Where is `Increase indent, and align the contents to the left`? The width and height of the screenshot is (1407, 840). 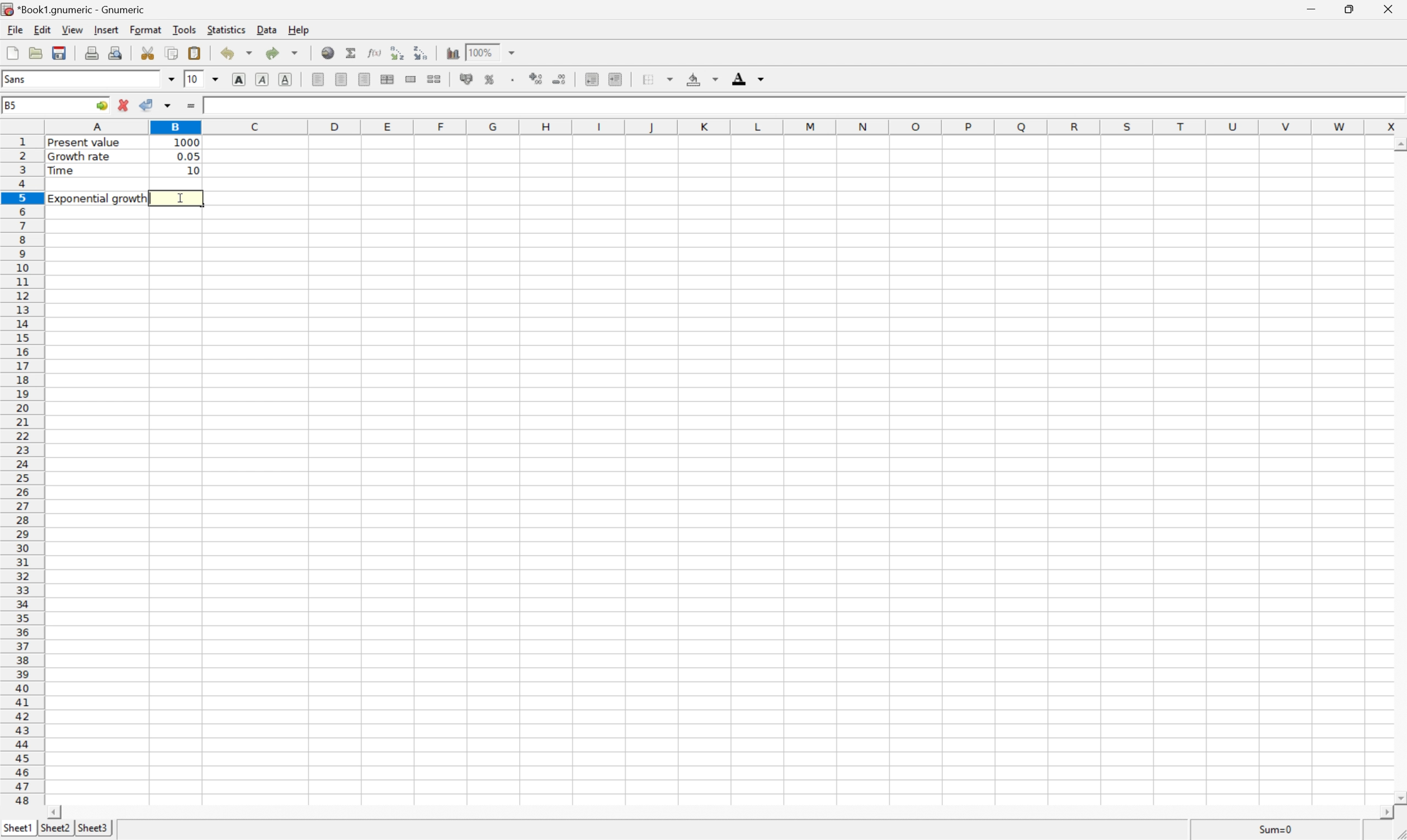 Increase indent, and align the contents to the left is located at coordinates (421, 53).